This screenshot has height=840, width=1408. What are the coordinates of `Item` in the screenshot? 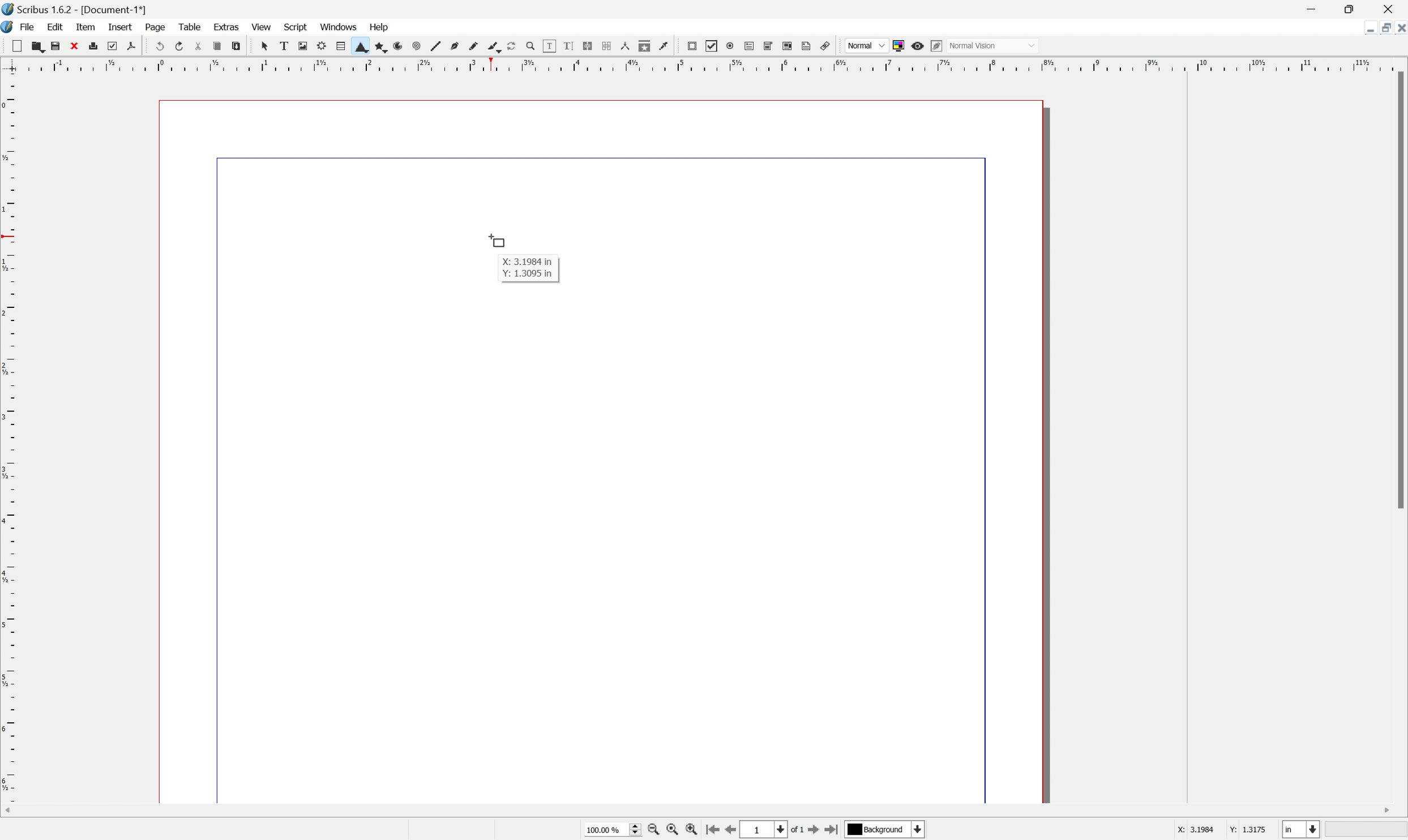 It's located at (84, 27).